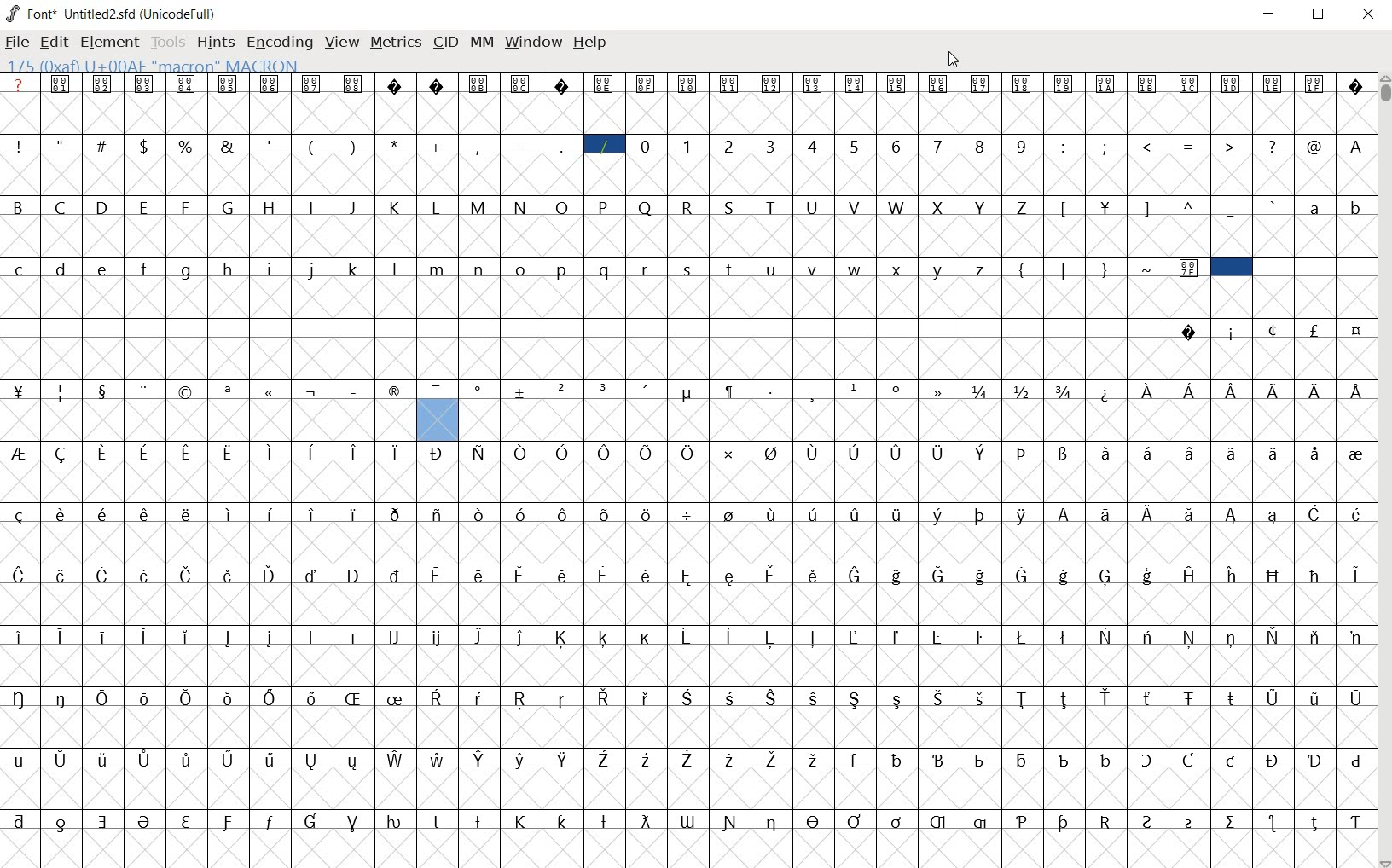 This screenshot has height=868, width=1392. Describe the element at coordinates (1024, 576) in the screenshot. I see `Symbol` at that location.